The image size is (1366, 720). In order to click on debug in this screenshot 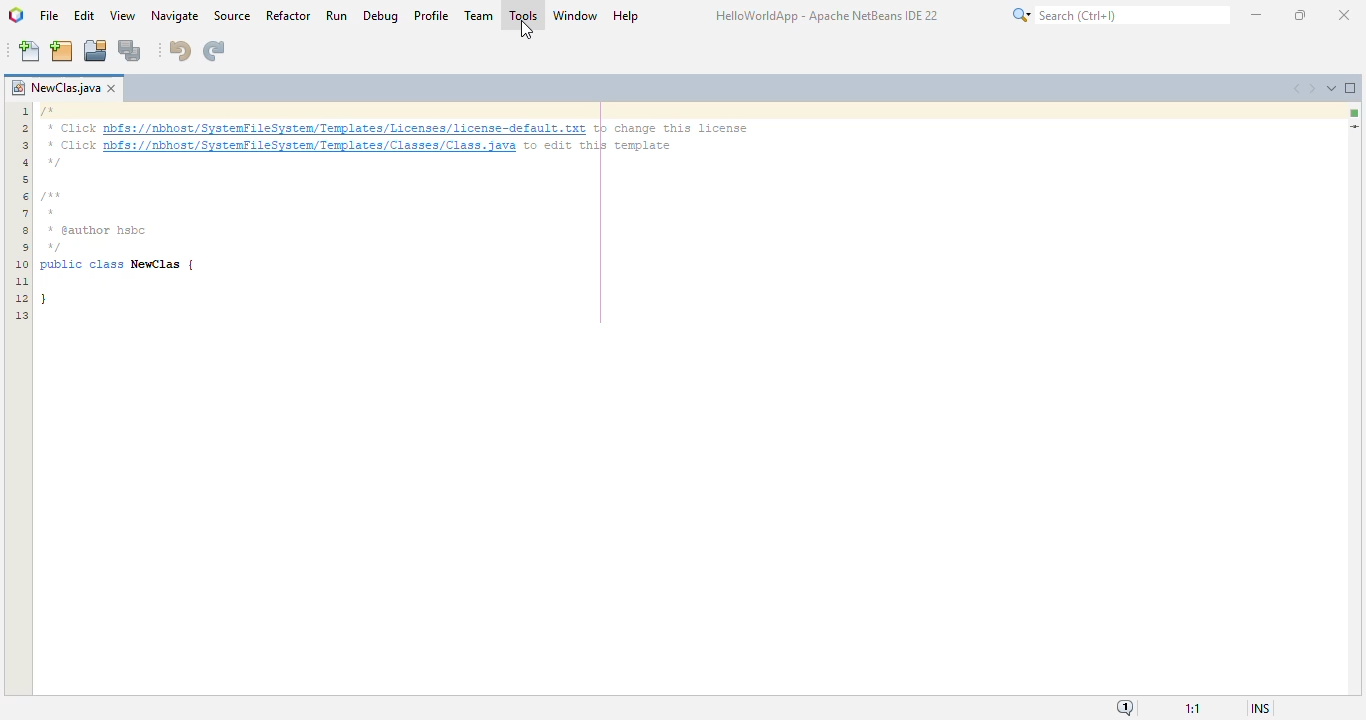, I will do `click(382, 15)`.